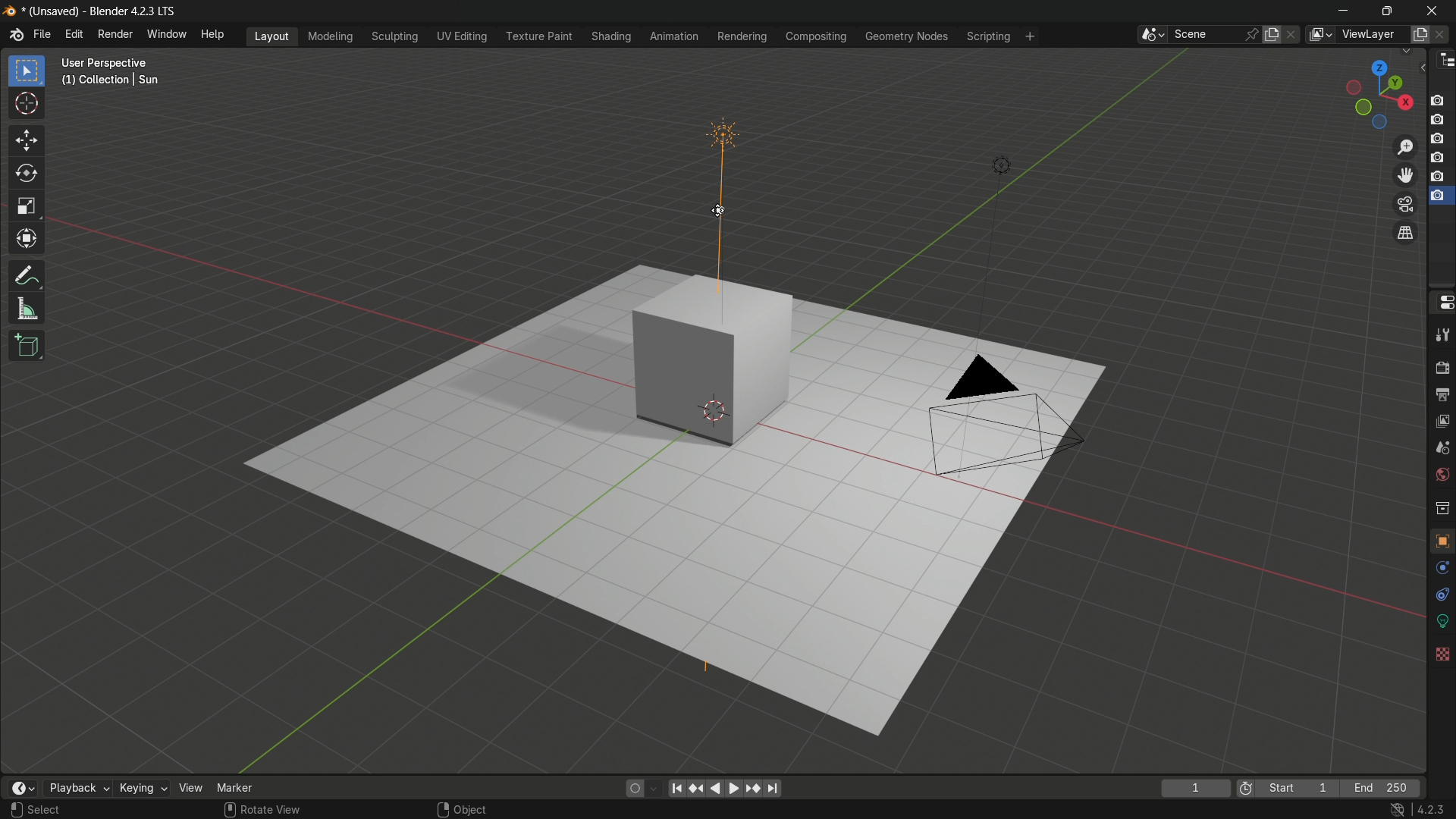 This screenshot has height=819, width=1456. I want to click on output, so click(1442, 395).